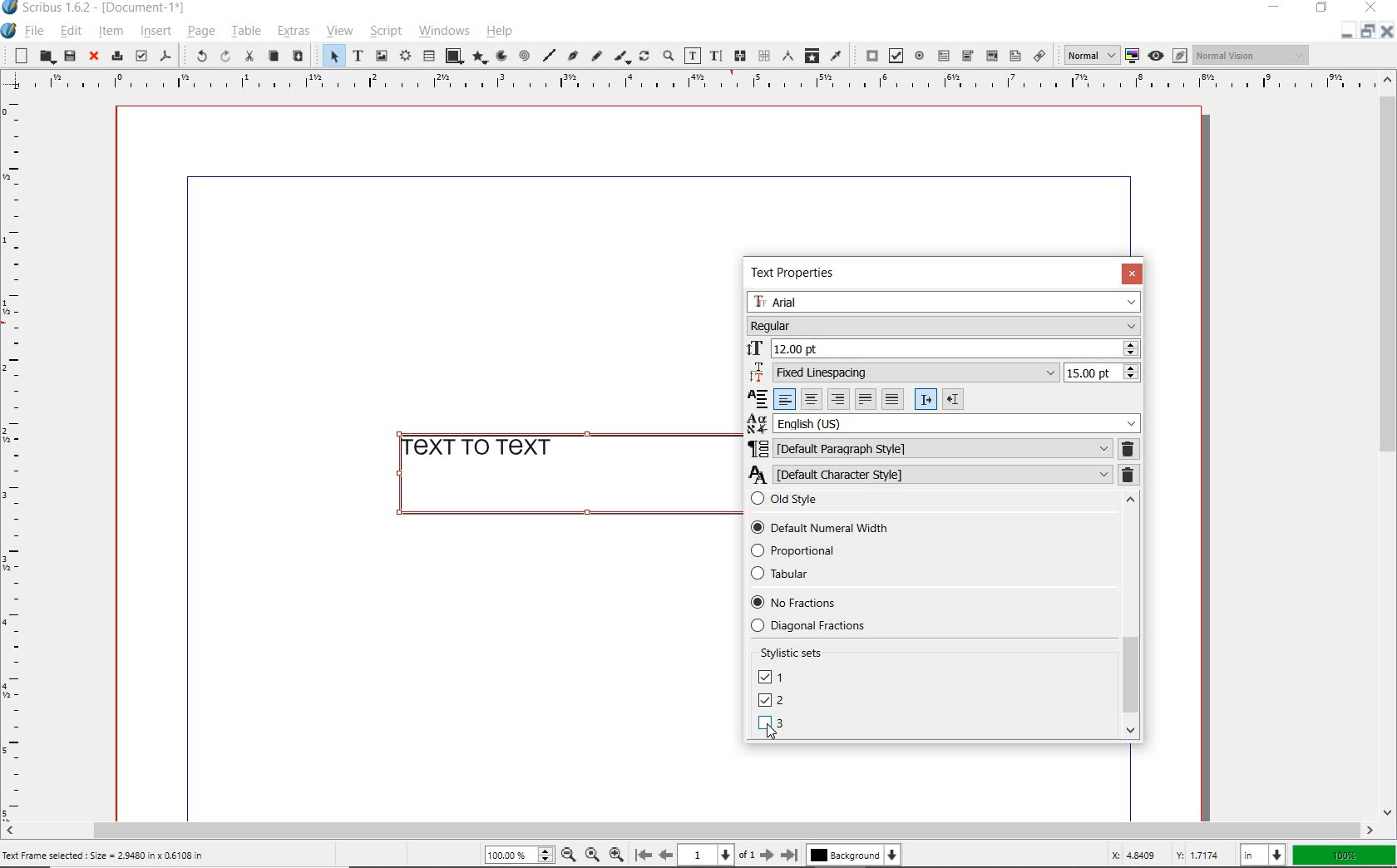  Describe the element at coordinates (932, 476) in the screenshot. I see `DEFAULT CHARACTER STYLE` at that location.